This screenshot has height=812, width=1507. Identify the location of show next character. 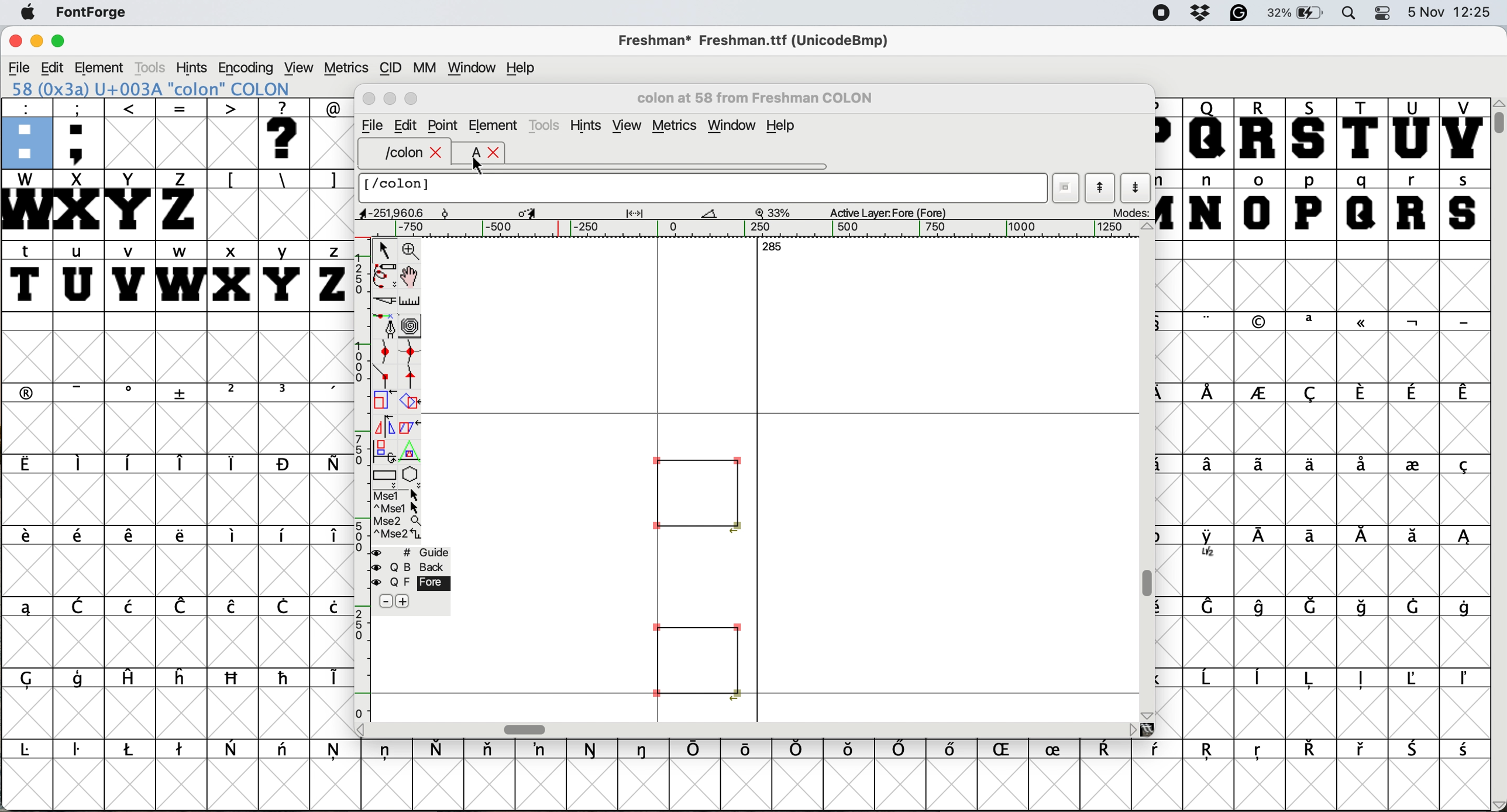
(1136, 186).